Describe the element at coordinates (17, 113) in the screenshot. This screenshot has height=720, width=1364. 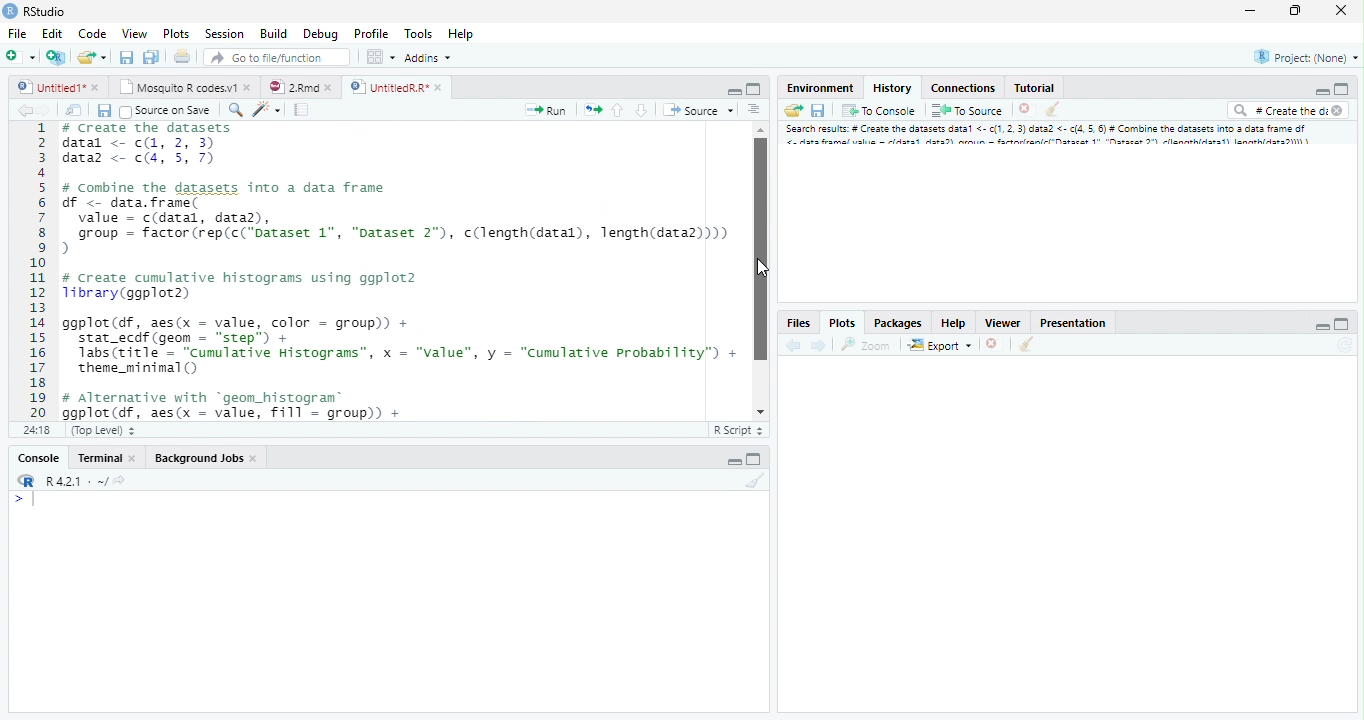
I see `Back` at that location.